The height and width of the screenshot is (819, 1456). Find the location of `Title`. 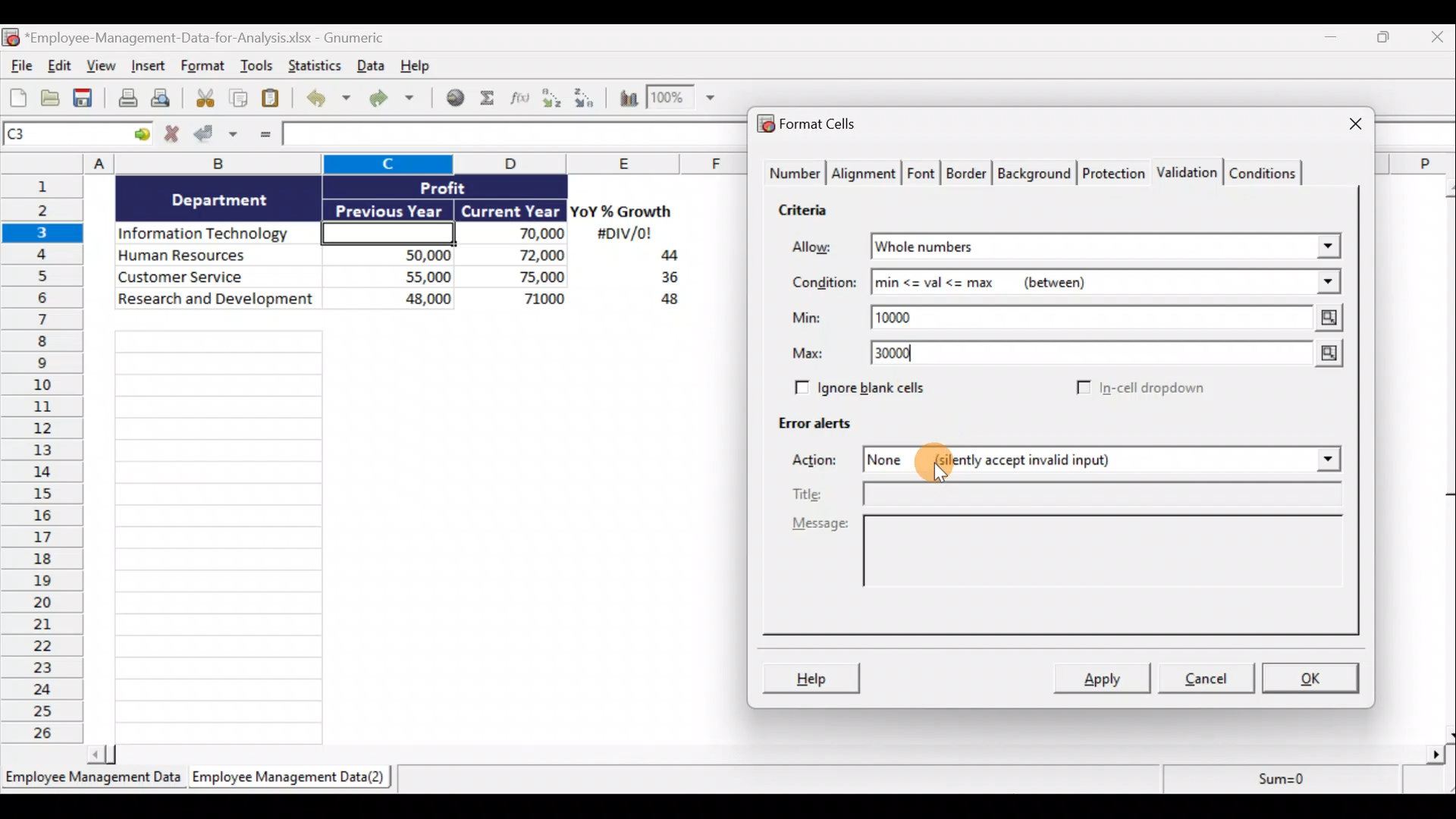

Title is located at coordinates (1072, 494).